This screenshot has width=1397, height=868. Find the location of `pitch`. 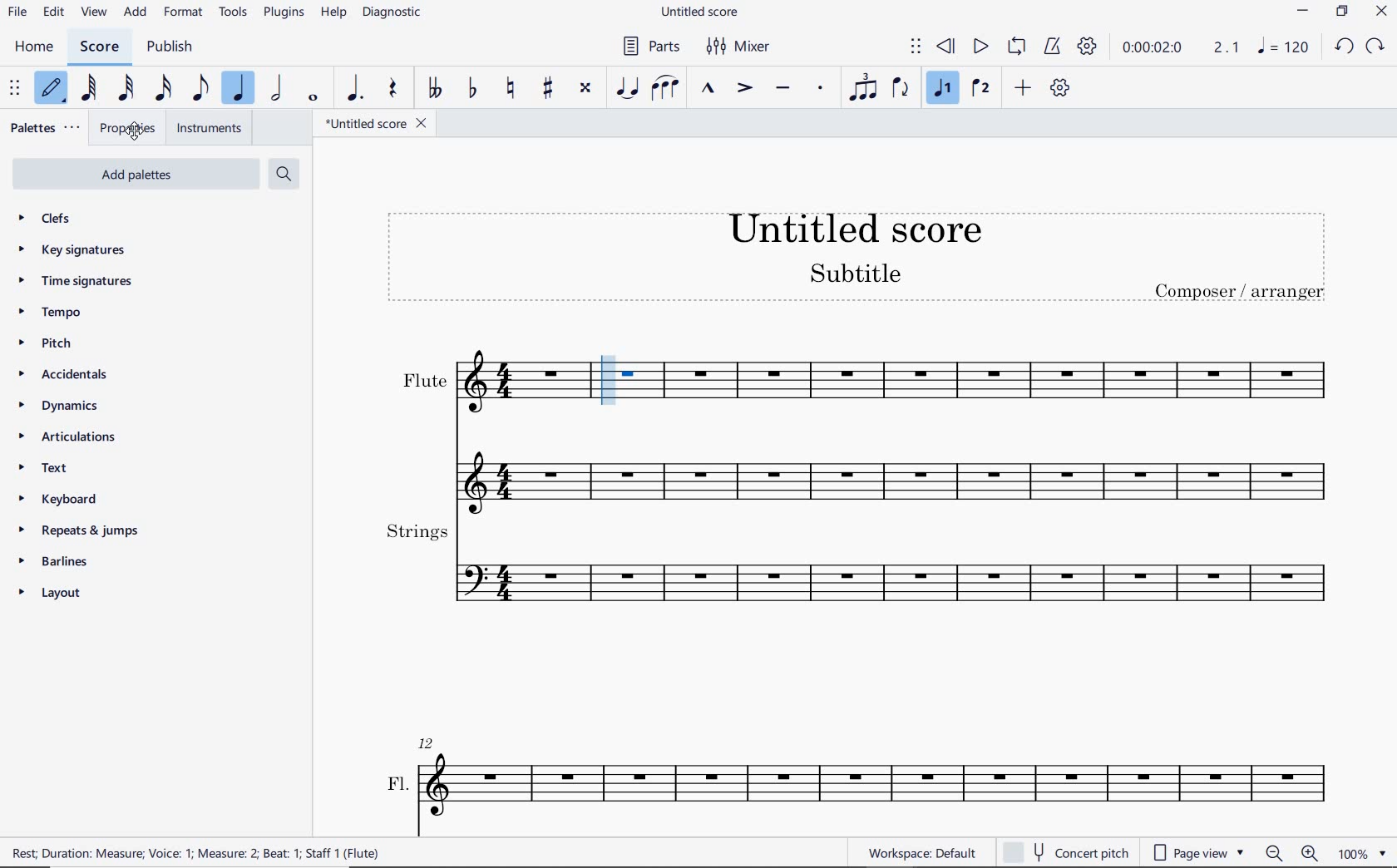

pitch is located at coordinates (46, 343).